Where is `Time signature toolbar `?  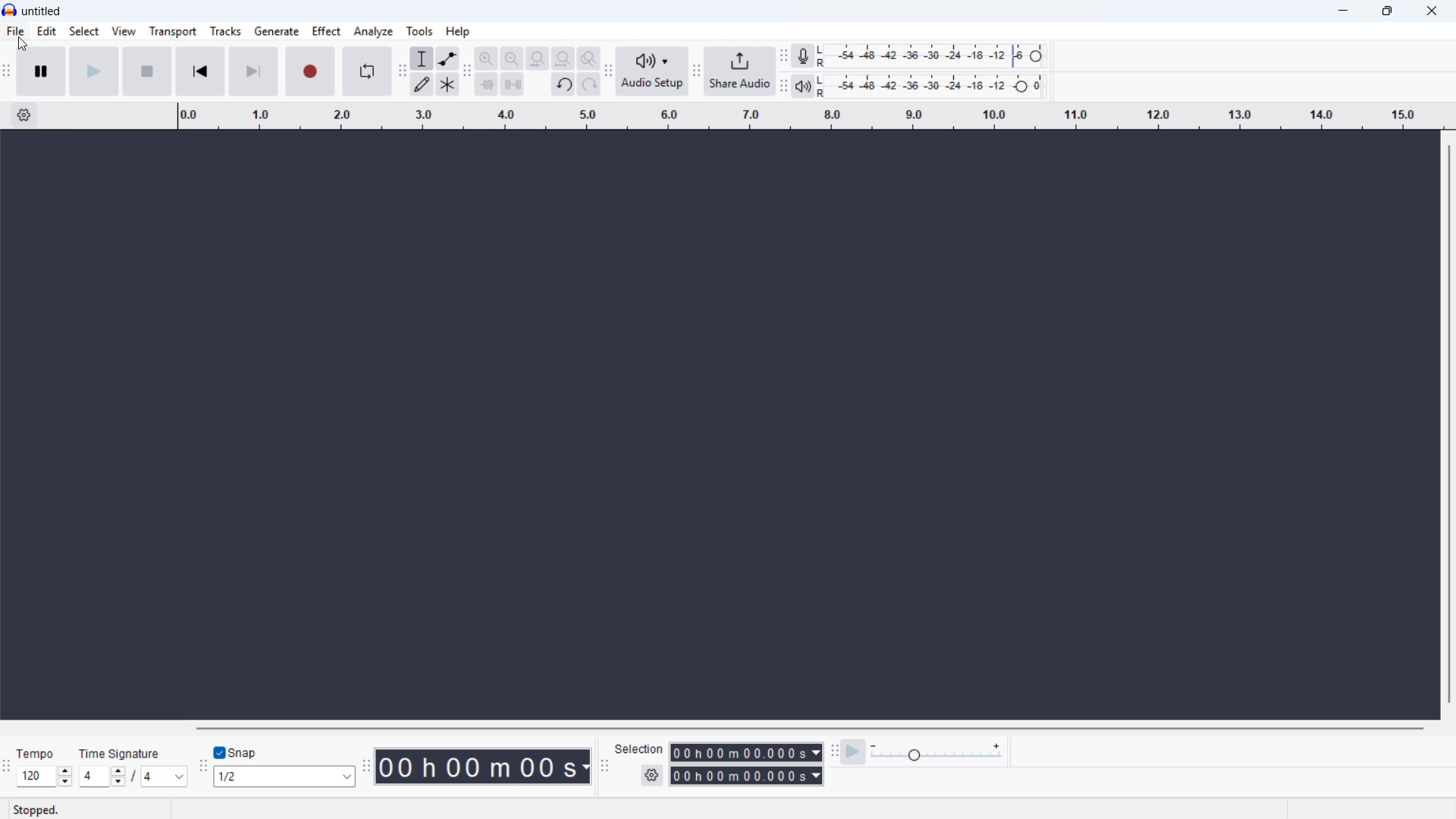
Time signature toolbar  is located at coordinates (8, 767).